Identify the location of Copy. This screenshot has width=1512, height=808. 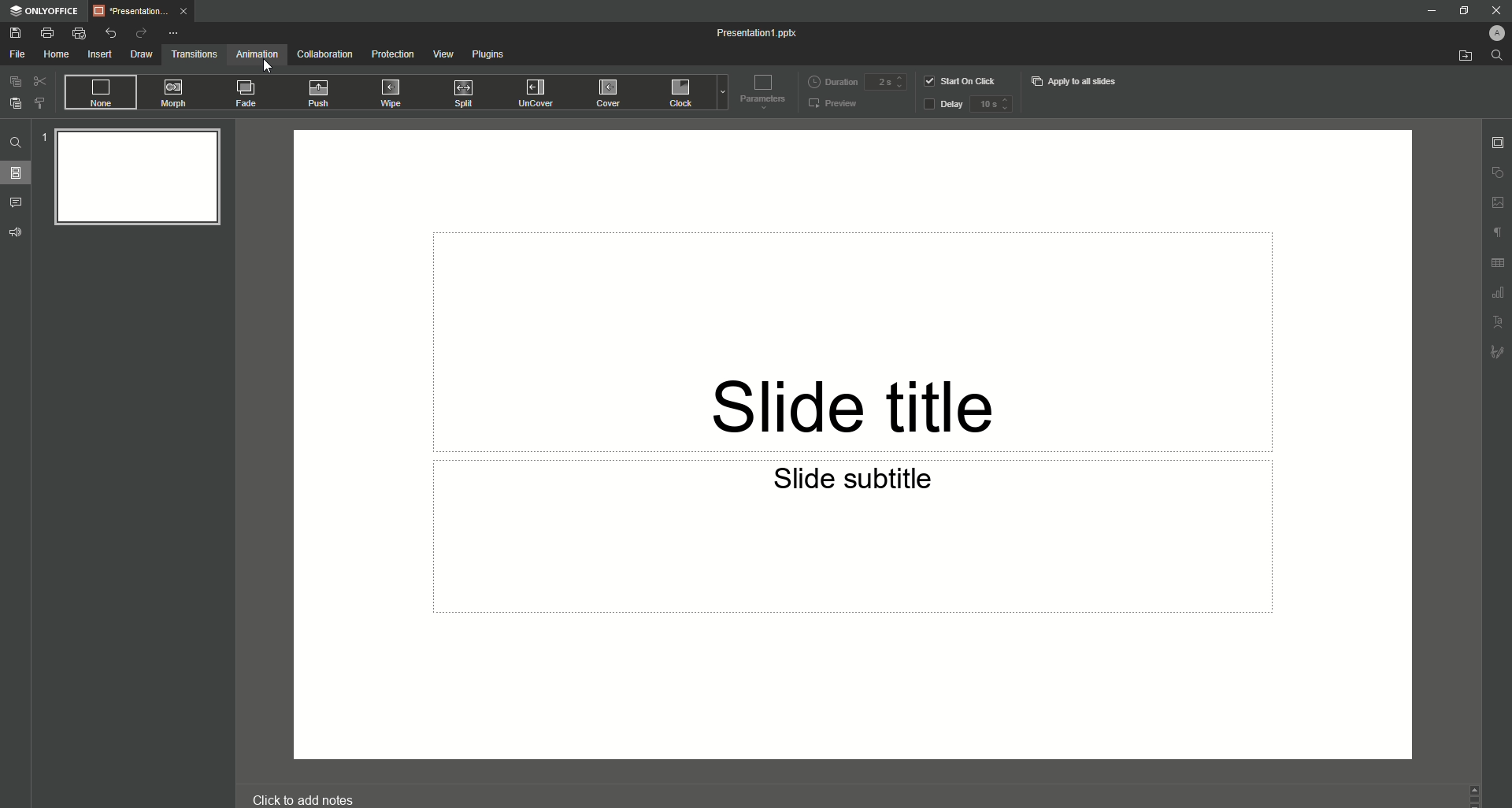
(13, 82).